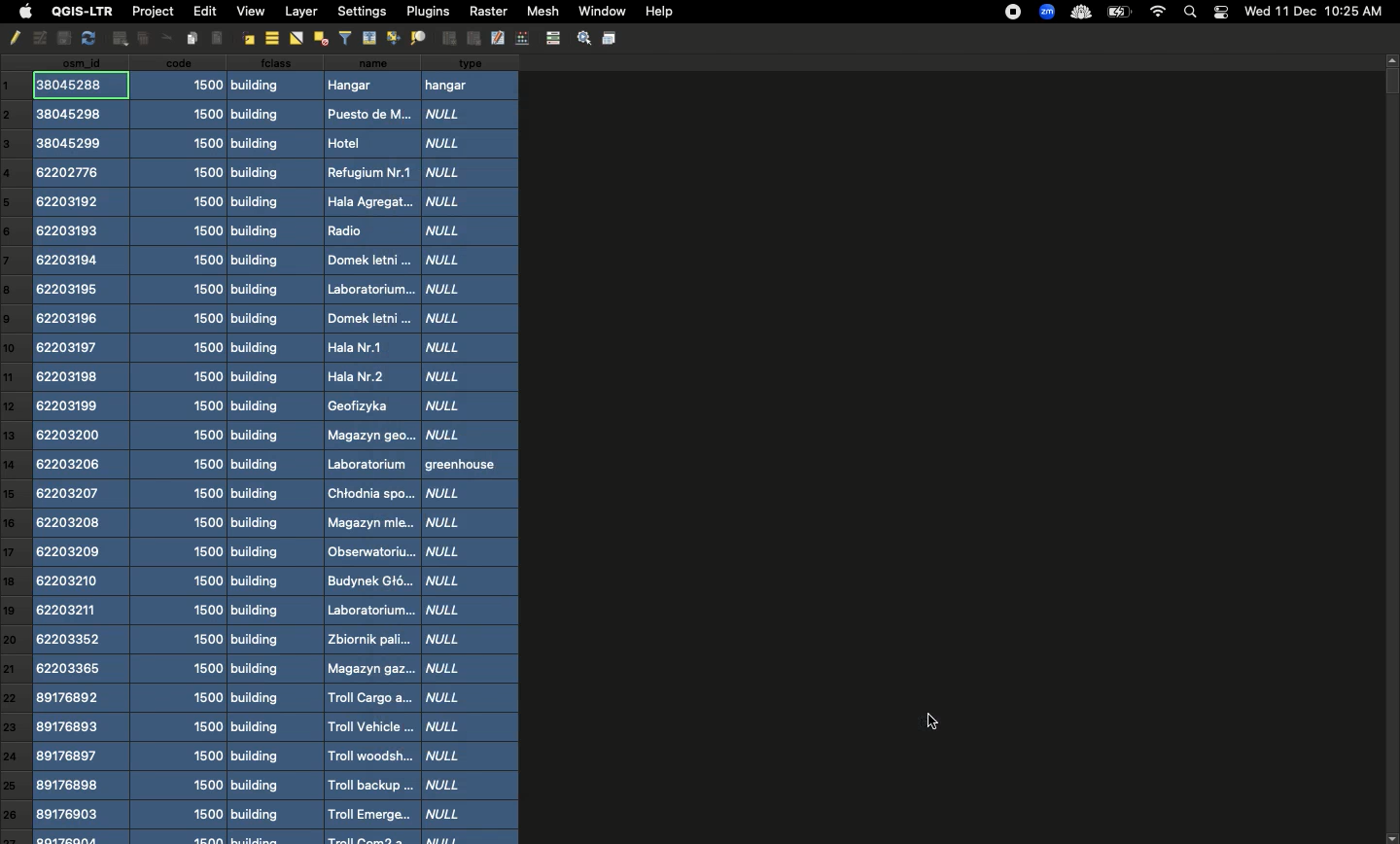  I want to click on Insert Ellipse, so click(118, 38).